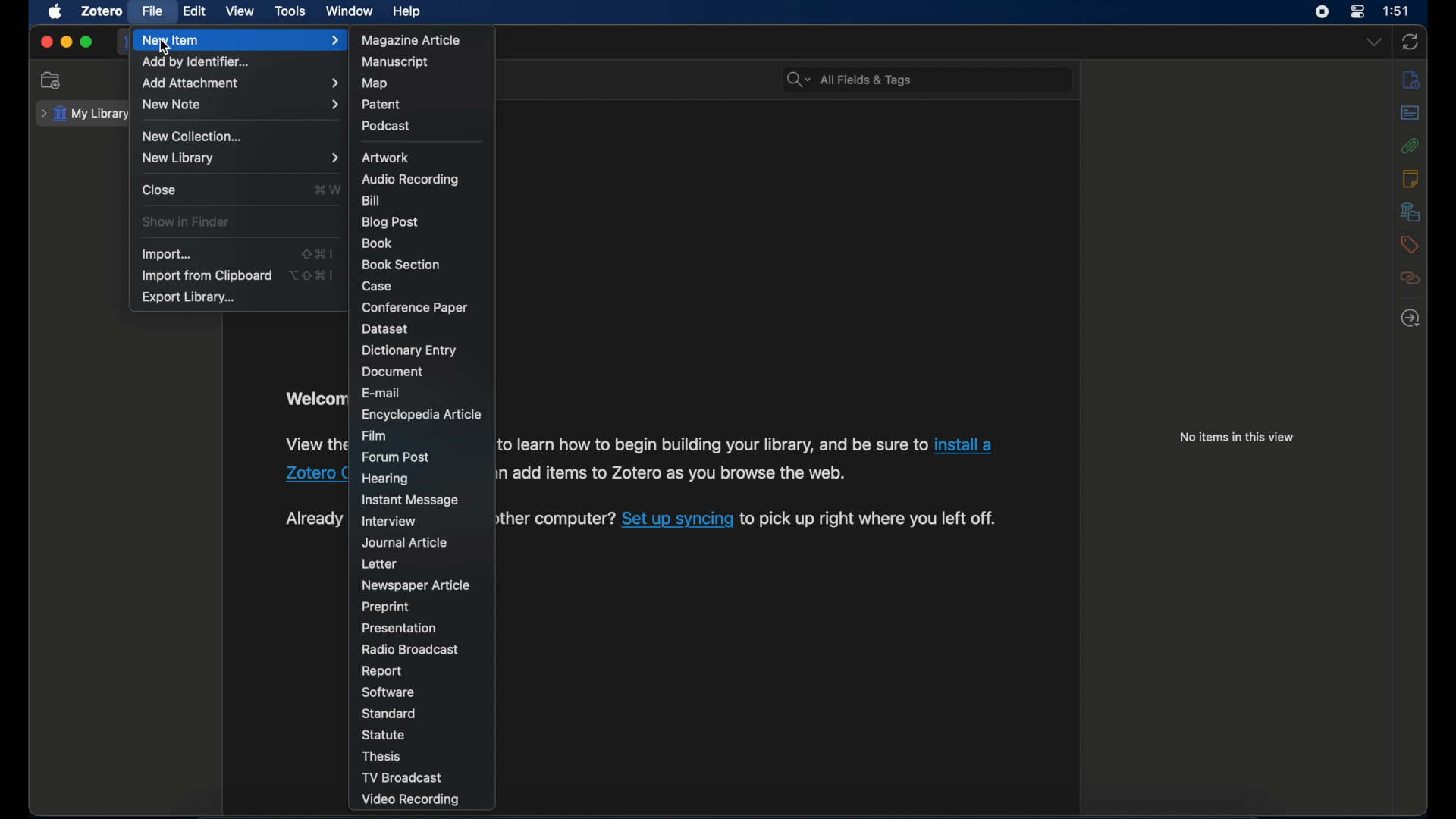 The height and width of the screenshot is (819, 1456). I want to click on forum post, so click(397, 457).